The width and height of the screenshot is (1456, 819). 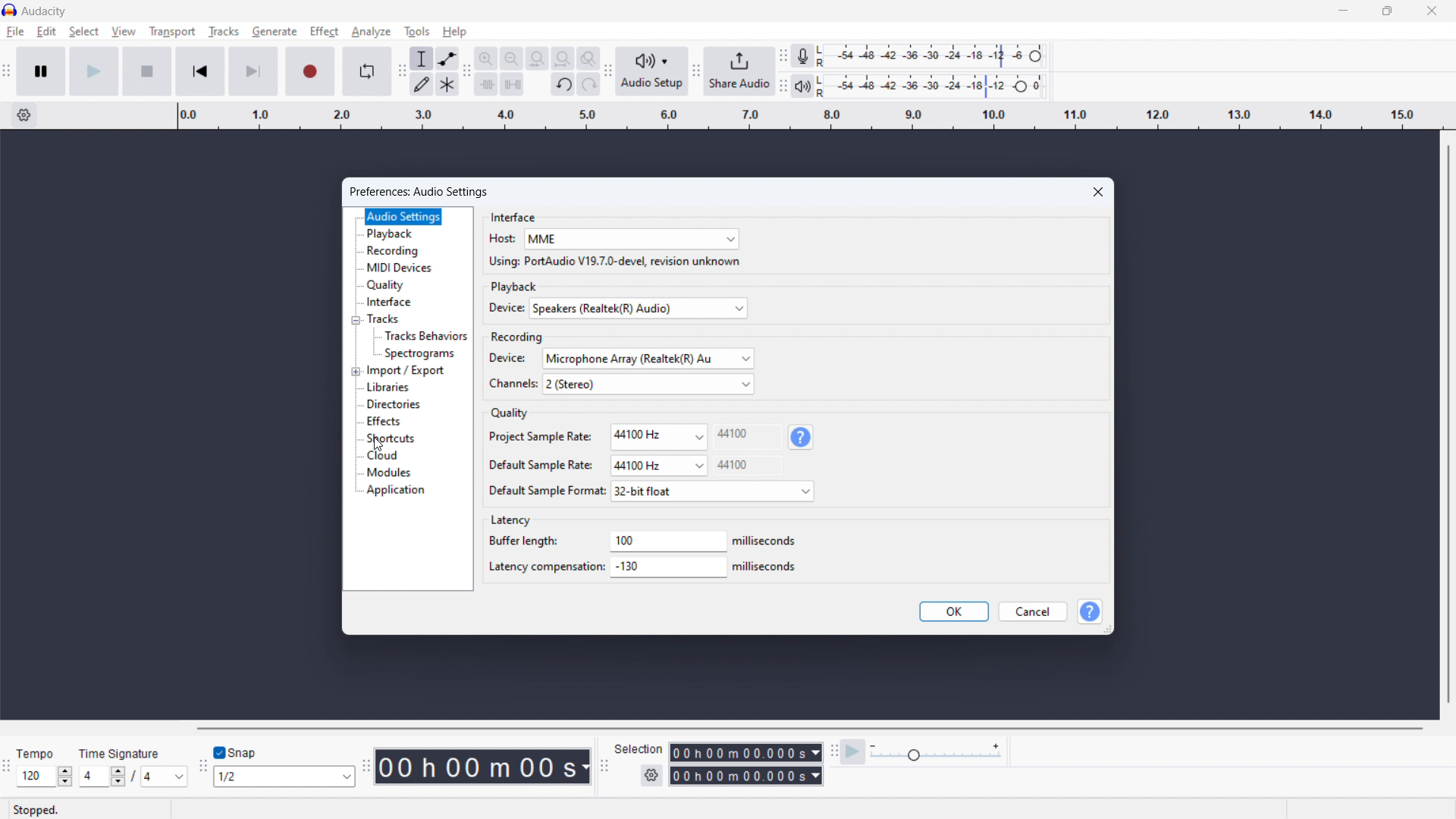 I want to click on tracks behavior, so click(x=426, y=336).